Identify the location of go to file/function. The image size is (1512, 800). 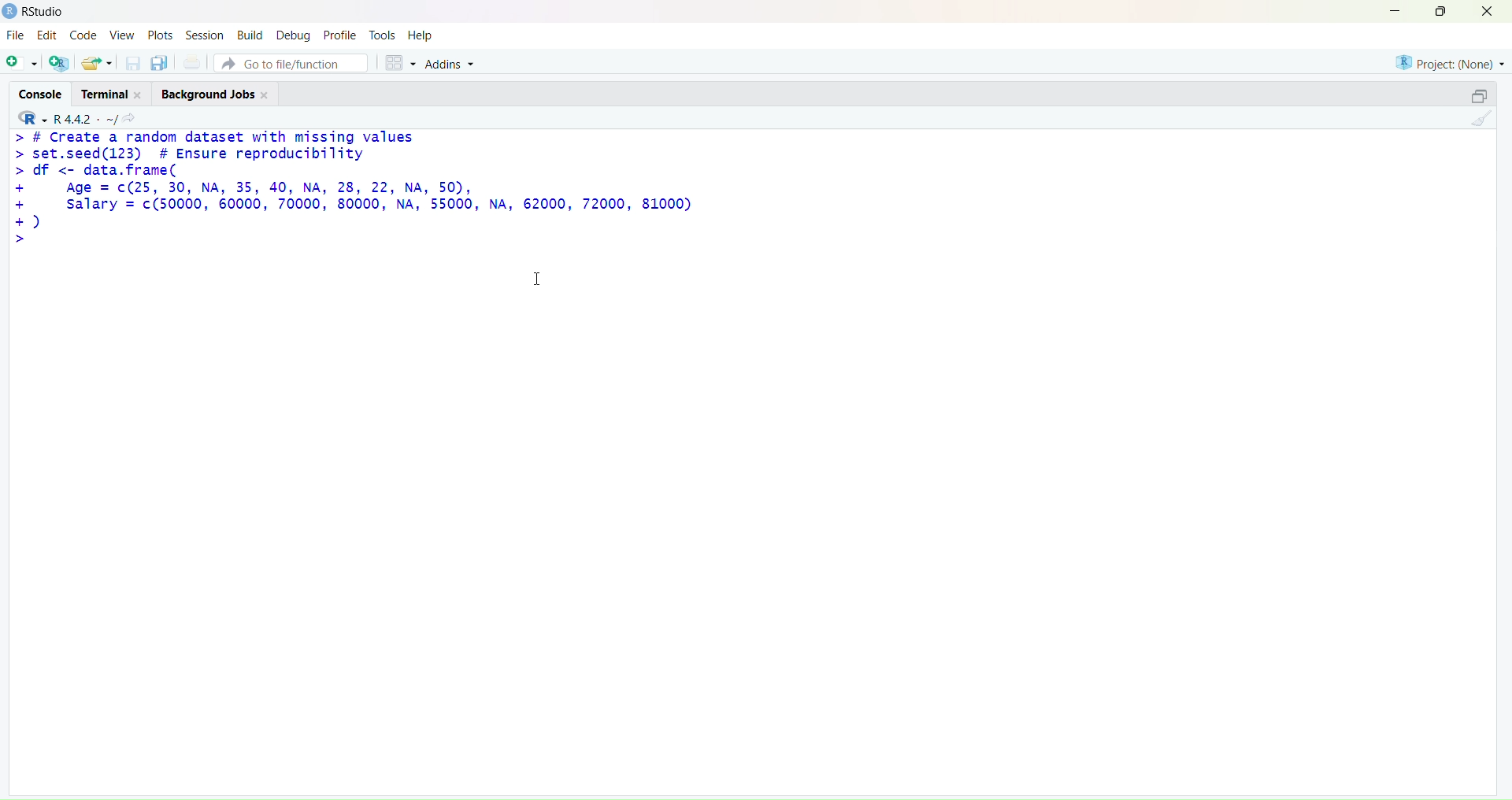
(290, 64).